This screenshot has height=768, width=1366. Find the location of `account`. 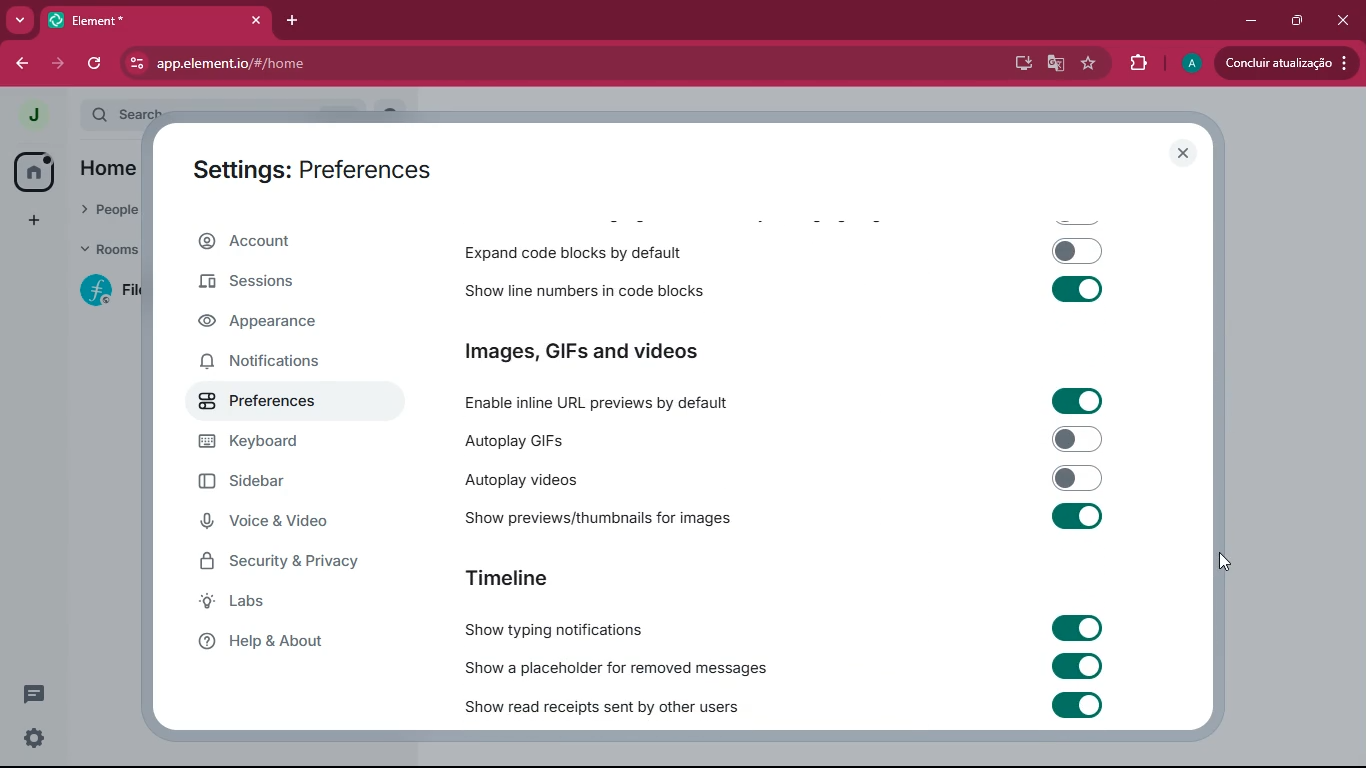

account is located at coordinates (292, 240).